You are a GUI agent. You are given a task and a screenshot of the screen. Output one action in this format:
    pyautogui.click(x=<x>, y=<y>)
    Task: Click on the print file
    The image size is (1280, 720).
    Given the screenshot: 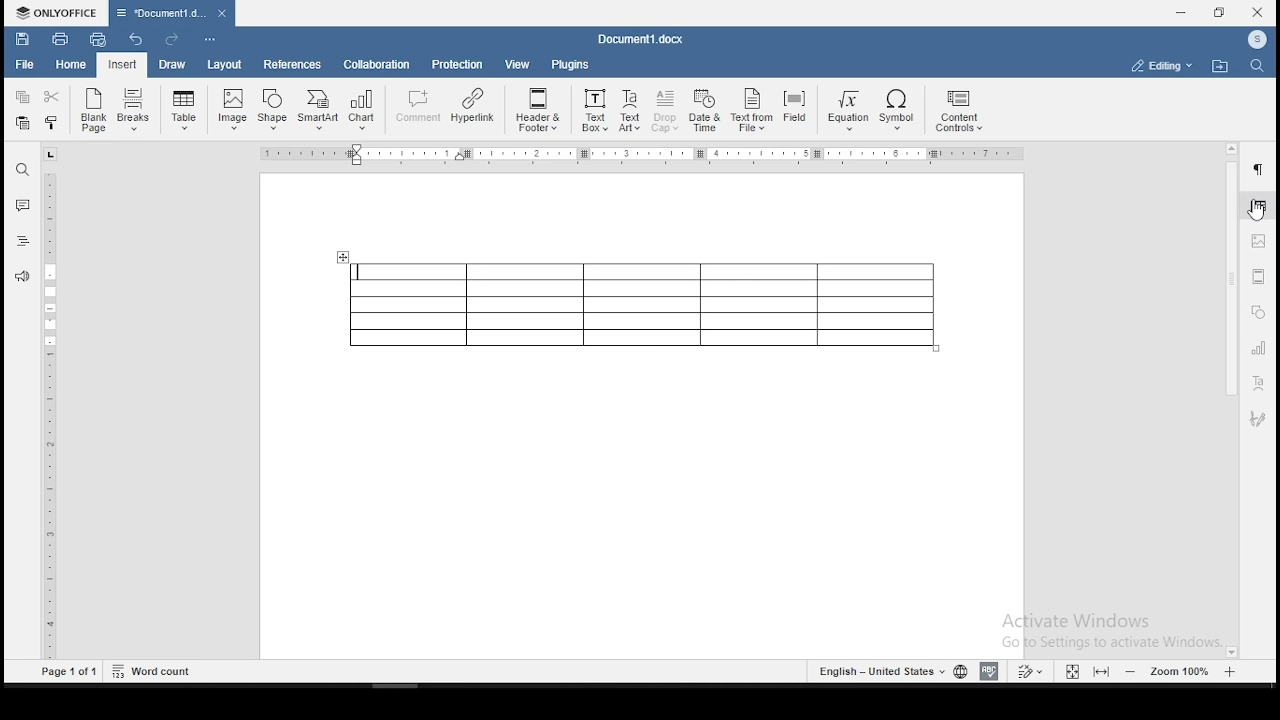 What is the action you would take?
    pyautogui.click(x=60, y=38)
    